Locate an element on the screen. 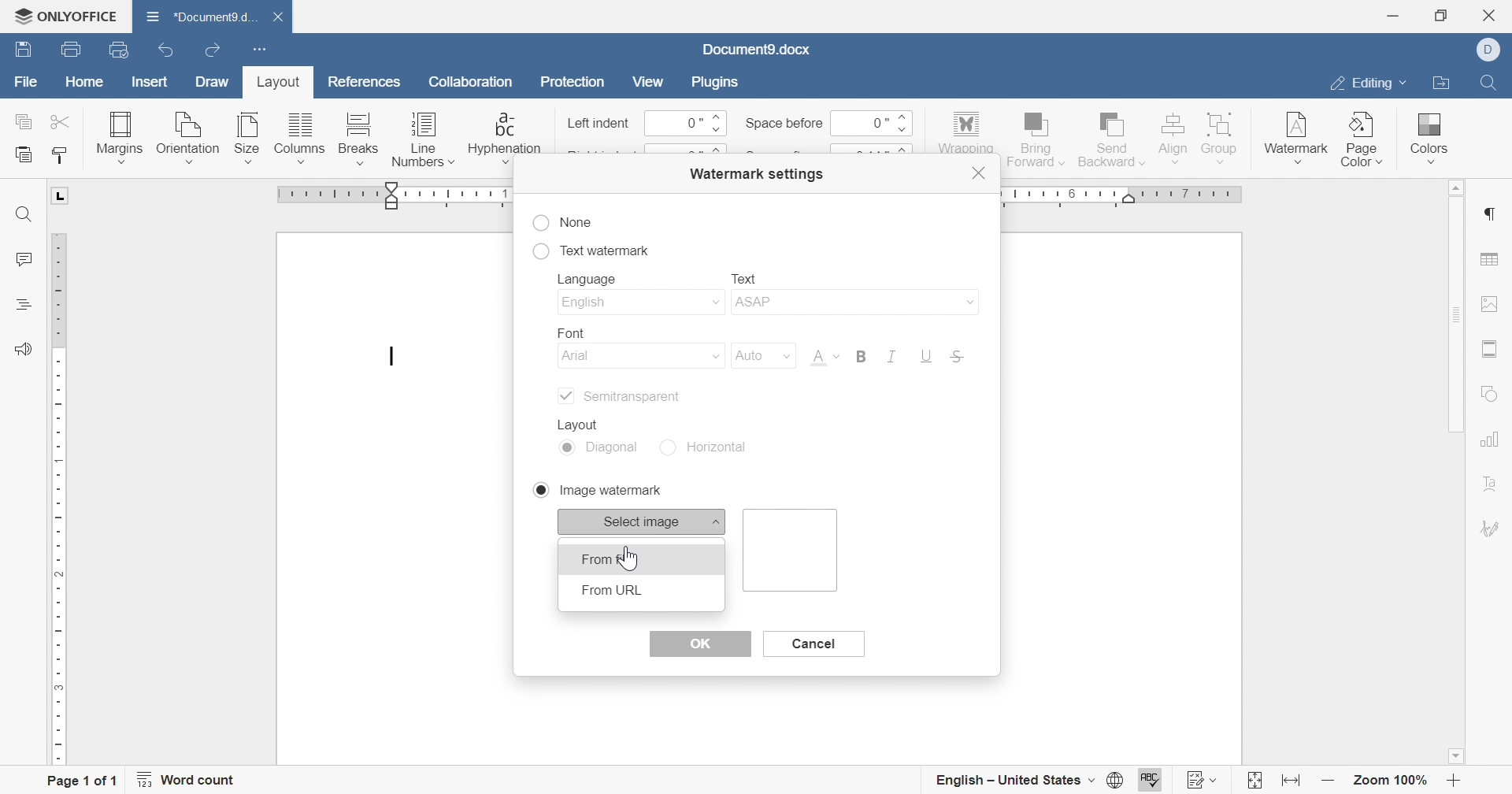 The width and height of the screenshot is (1512, 794). close is located at coordinates (286, 18).